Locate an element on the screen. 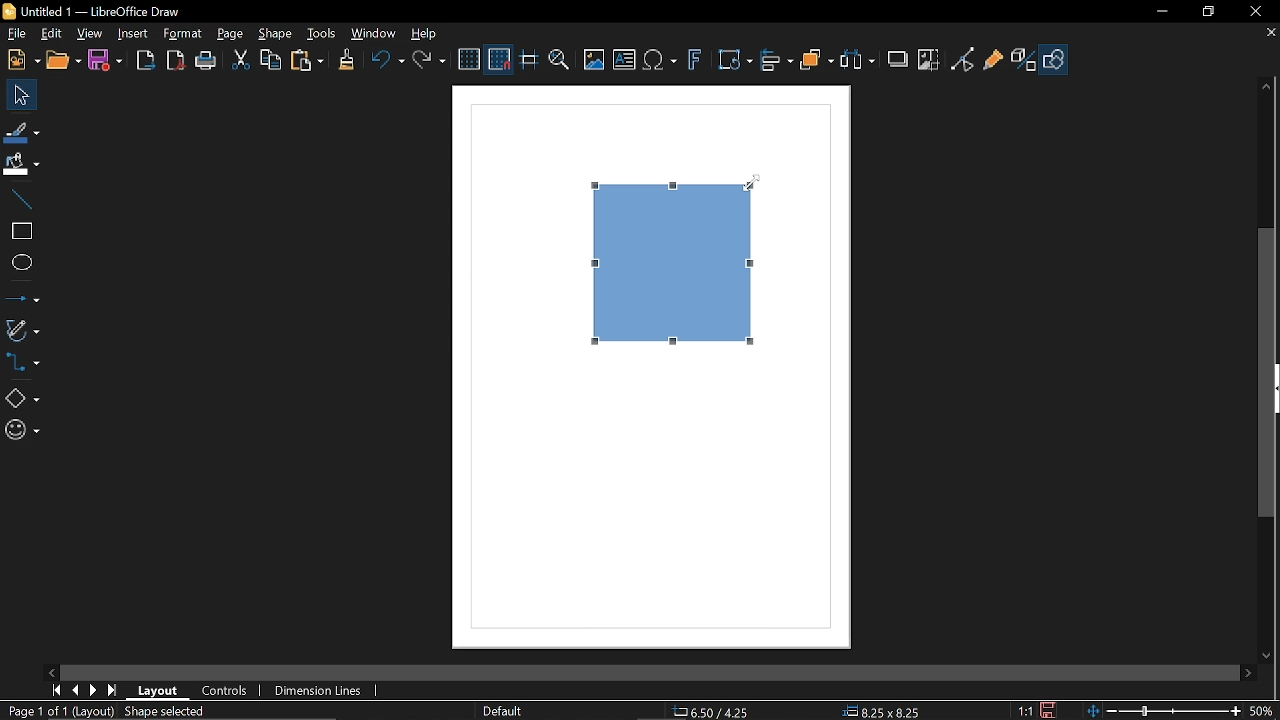  Restore down is located at coordinates (1206, 13).